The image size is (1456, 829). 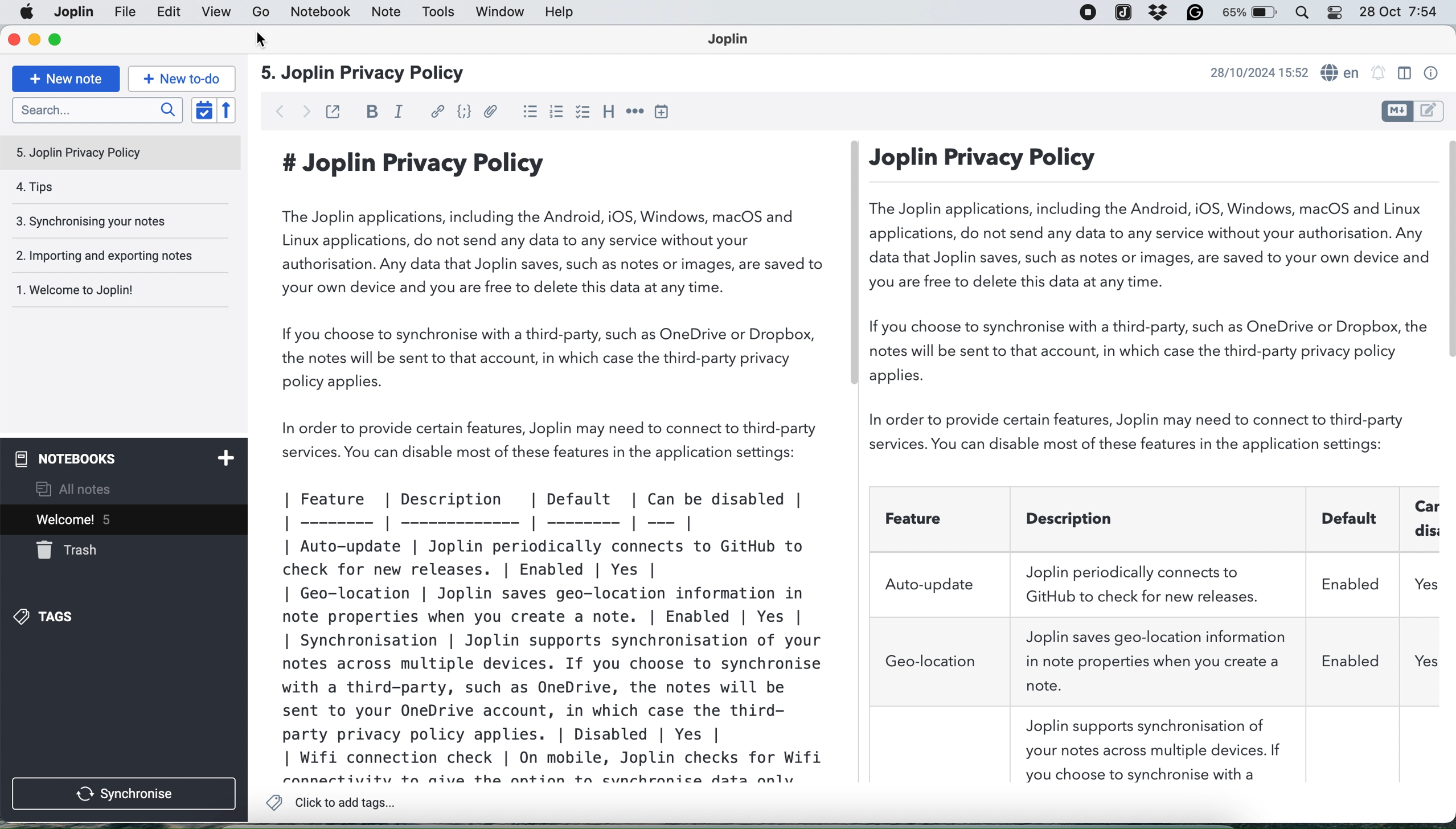 I want to click on date and time, so click(x=1256, y=72).